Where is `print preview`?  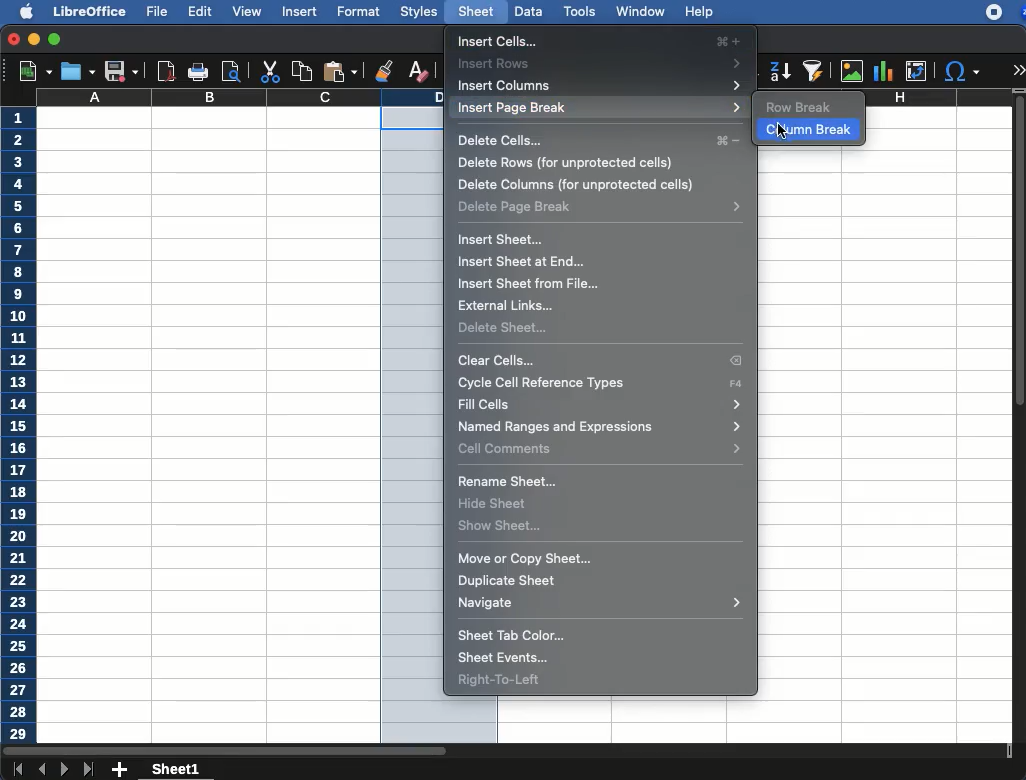
print preview is located at coordinates (233, 71).